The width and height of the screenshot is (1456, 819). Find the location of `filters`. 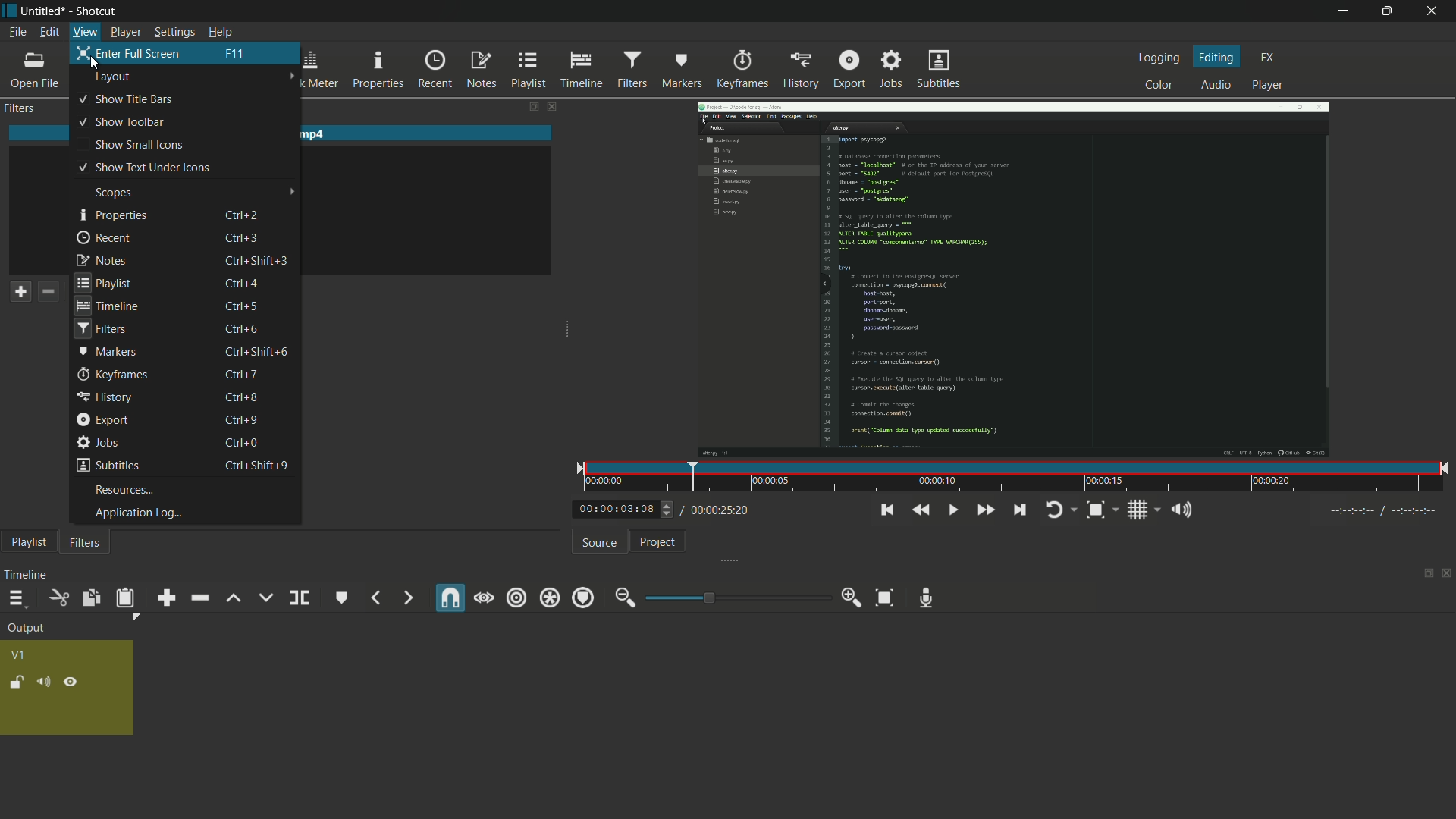

filters is located at coordinates (99, 329).